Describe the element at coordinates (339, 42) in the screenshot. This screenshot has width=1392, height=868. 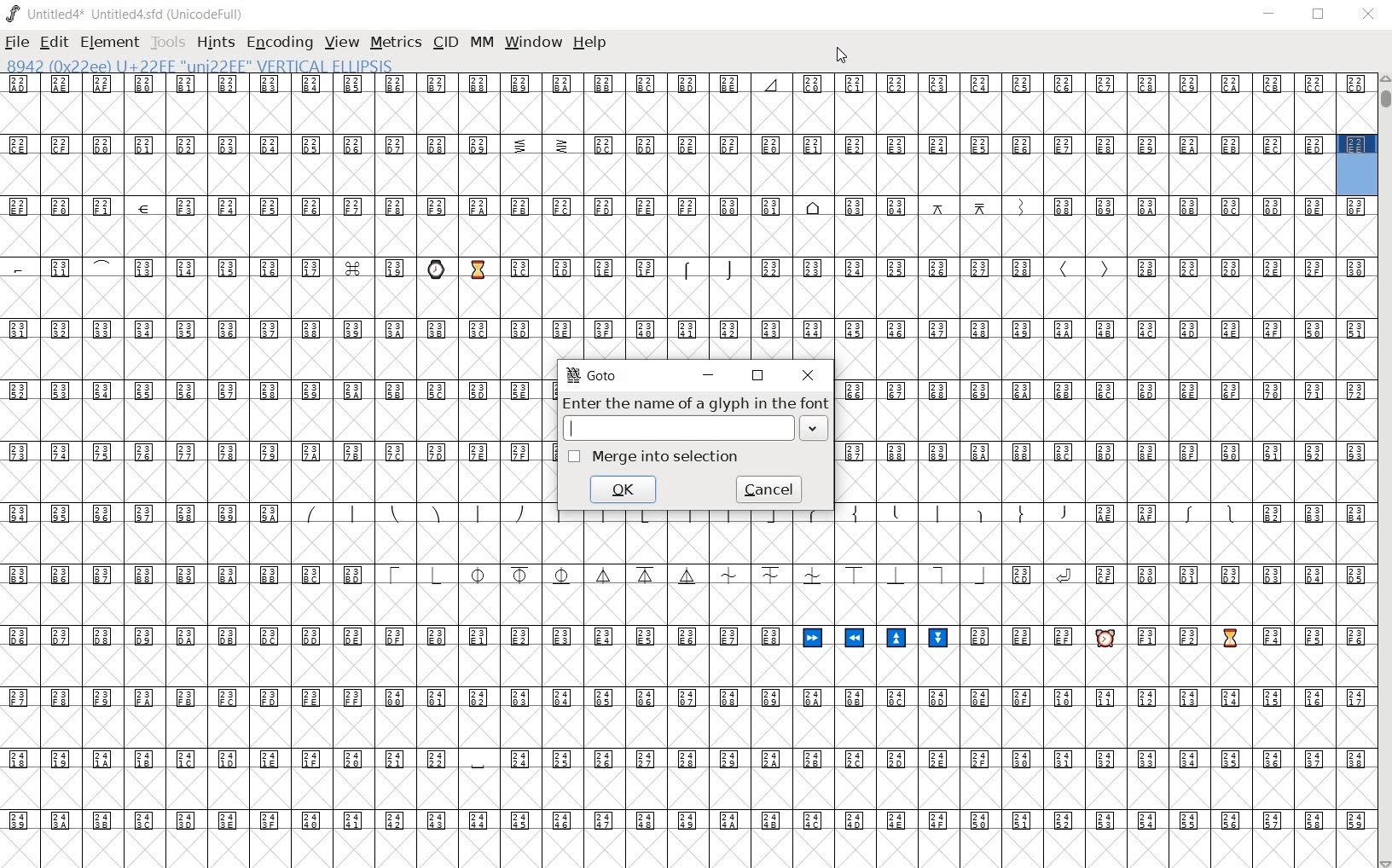
I see `VIEW` at that location.